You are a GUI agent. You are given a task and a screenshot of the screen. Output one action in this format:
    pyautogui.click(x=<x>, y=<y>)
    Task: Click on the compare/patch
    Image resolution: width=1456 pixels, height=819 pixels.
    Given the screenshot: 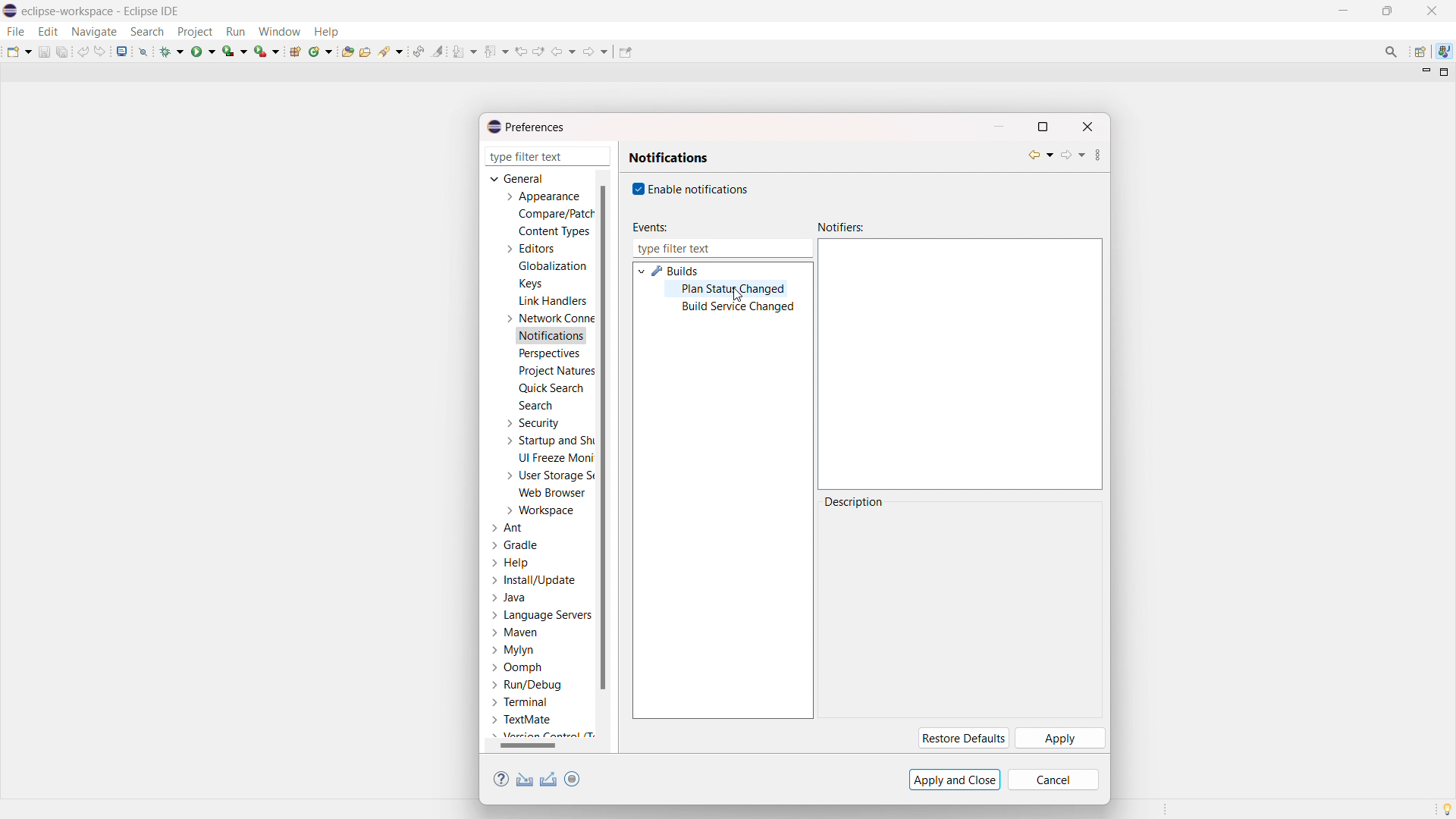 What is the action you would take?
    pyautogui.click(x=553, y=215)
    